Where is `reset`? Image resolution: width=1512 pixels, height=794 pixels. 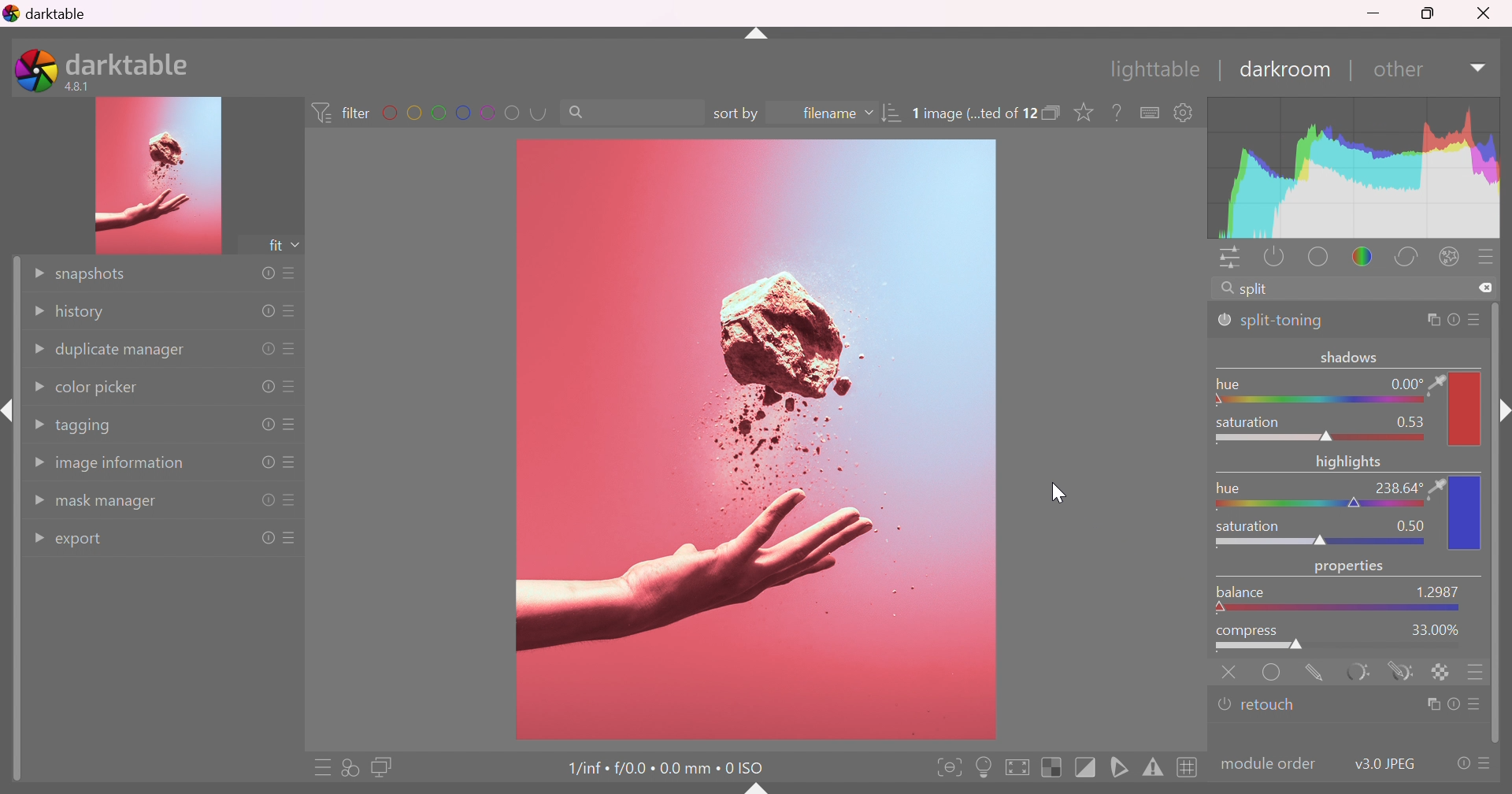
reset is located at coordinates (267, 311).